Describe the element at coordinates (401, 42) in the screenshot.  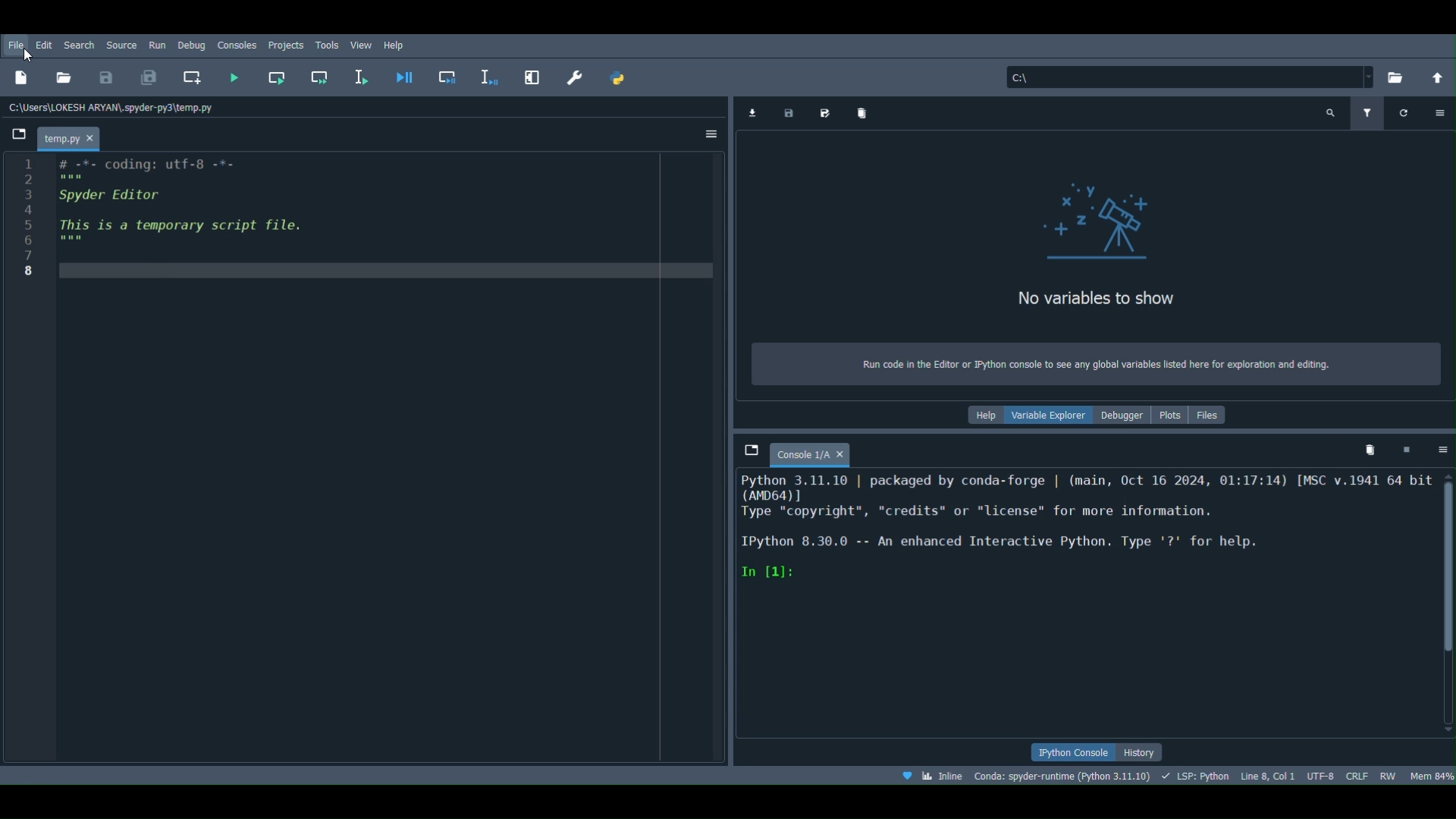
I see `Help` at that location.